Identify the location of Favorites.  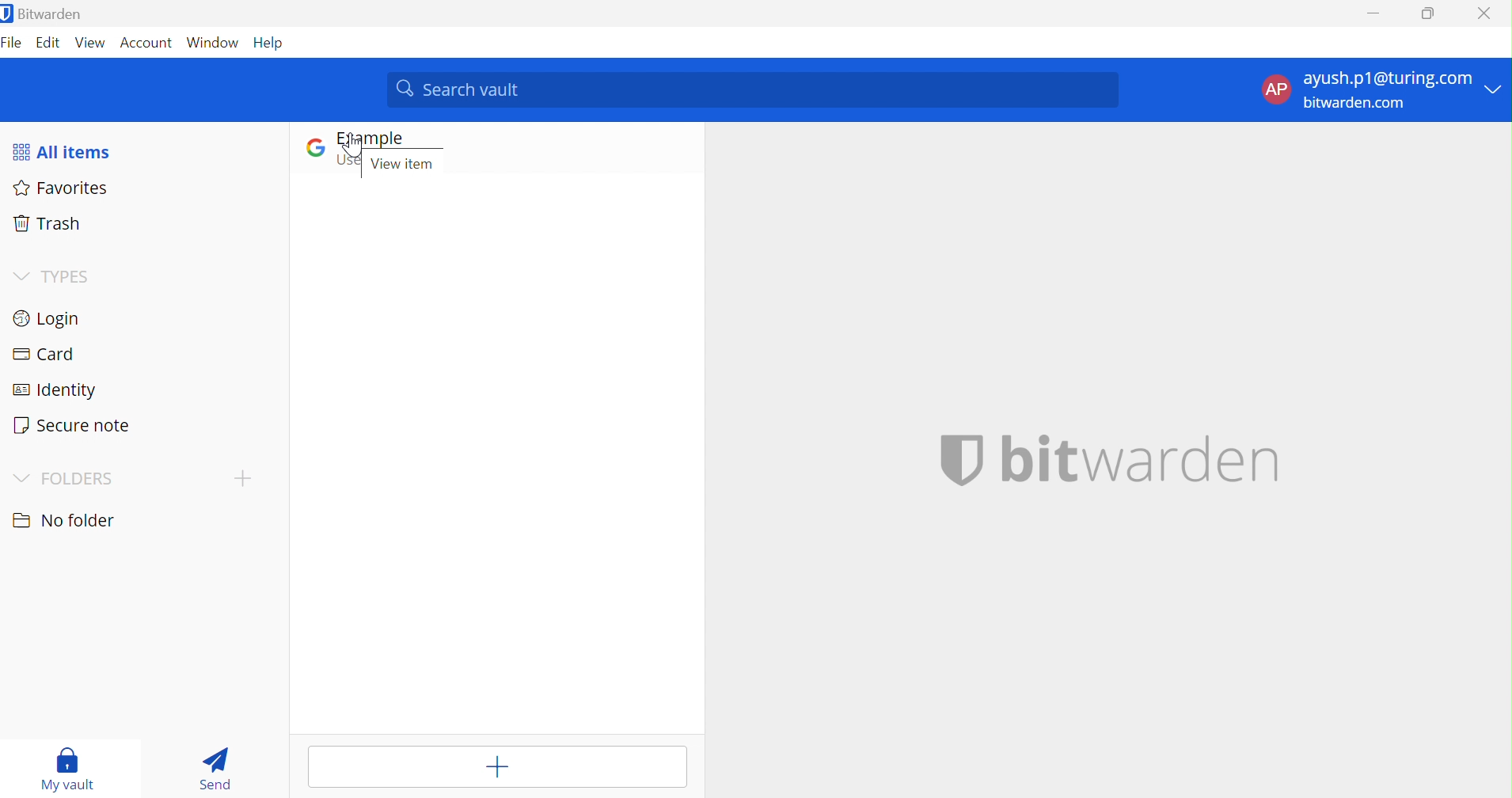
(66, 189).